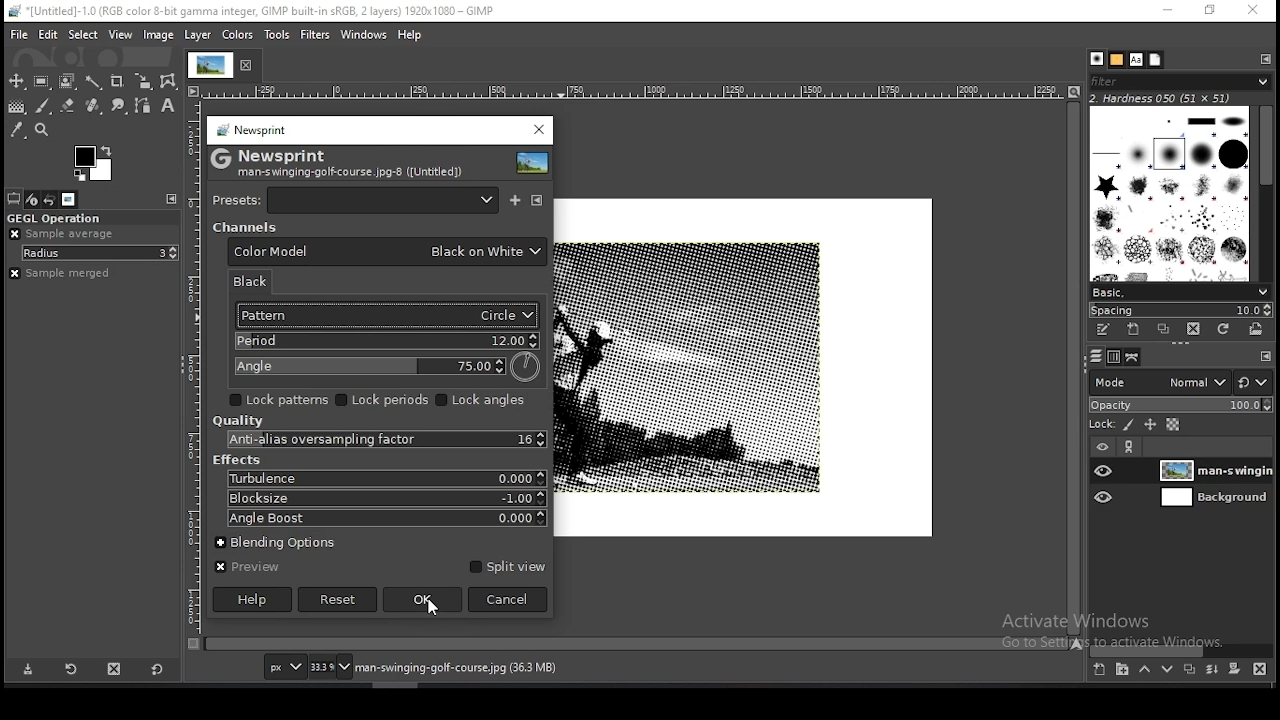 Image resolution: width=1280 pixels, height=720 pixels. I want to click on rectangle select tool, so click(42, 82).